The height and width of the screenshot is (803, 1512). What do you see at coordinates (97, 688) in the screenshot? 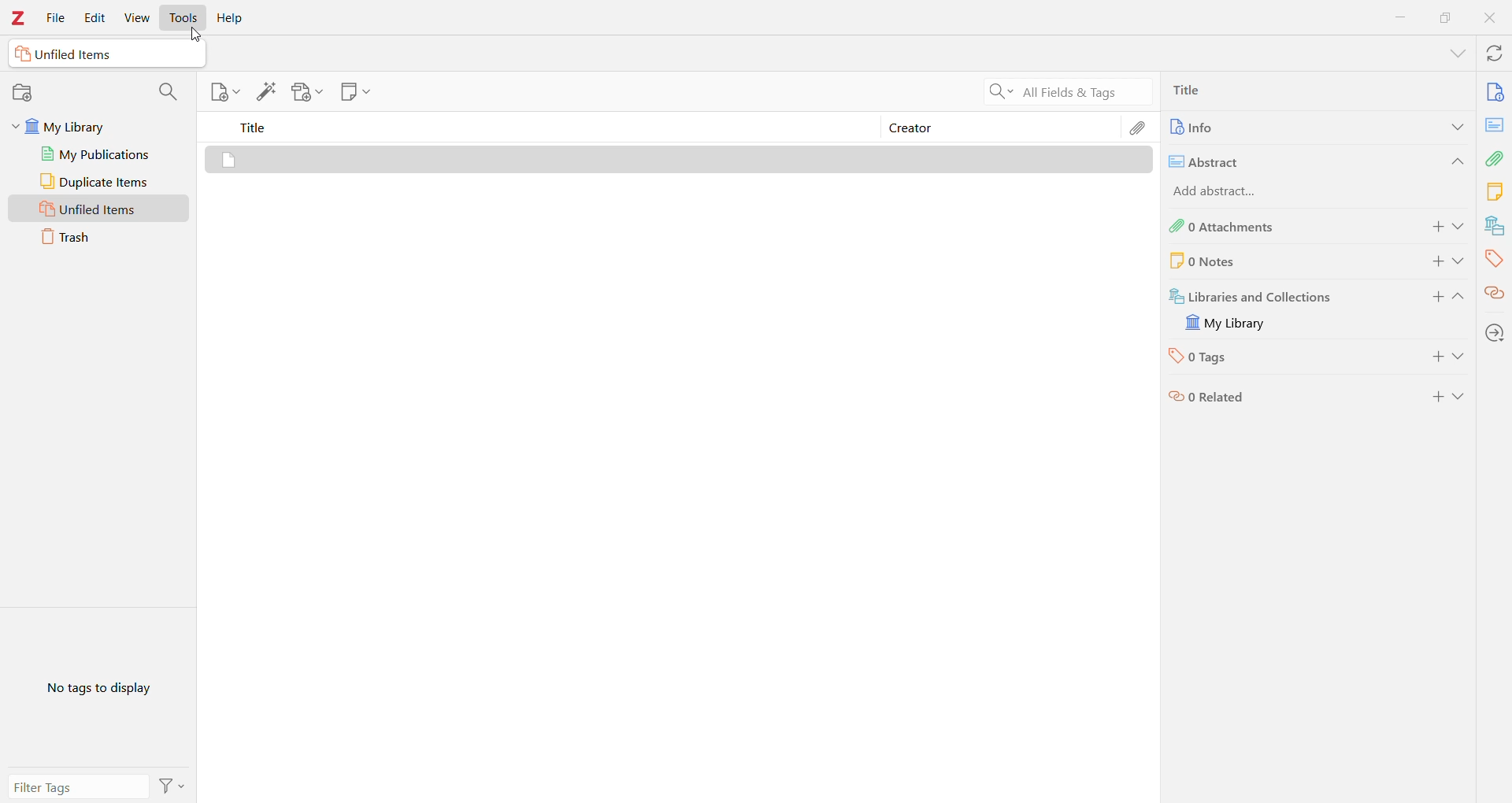
I see `No tags to display` at bounding box center [97, 688].